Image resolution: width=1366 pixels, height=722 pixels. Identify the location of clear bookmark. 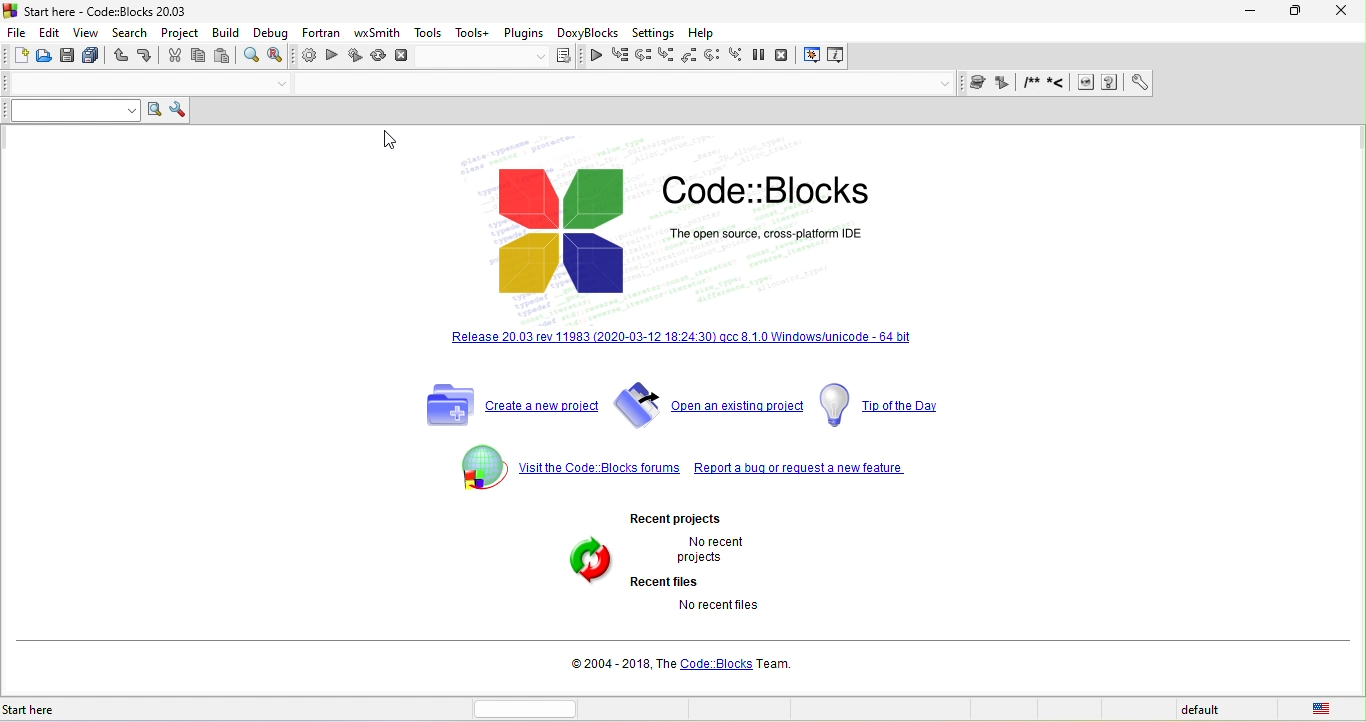
(1107, 83).